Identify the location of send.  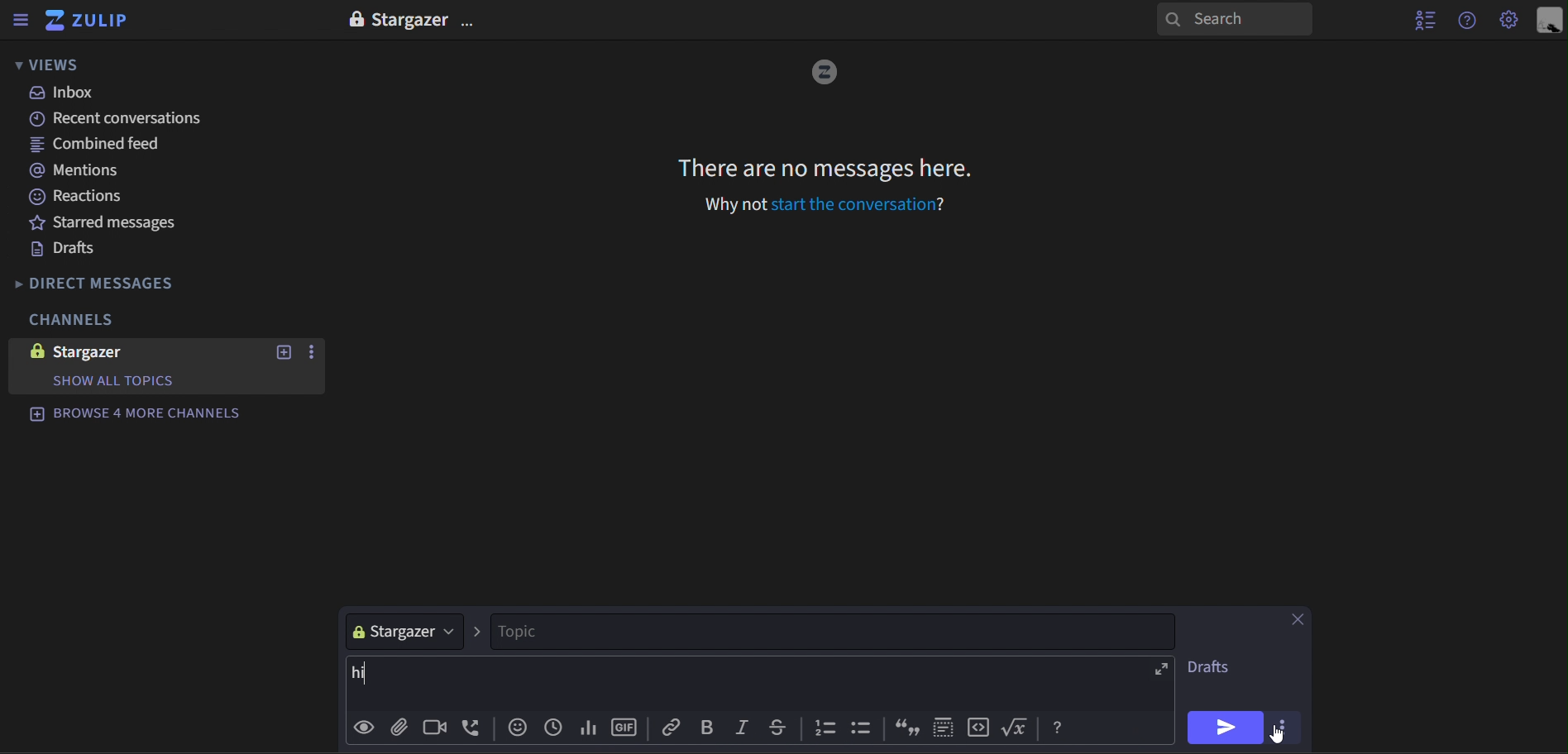
(1225, 728).